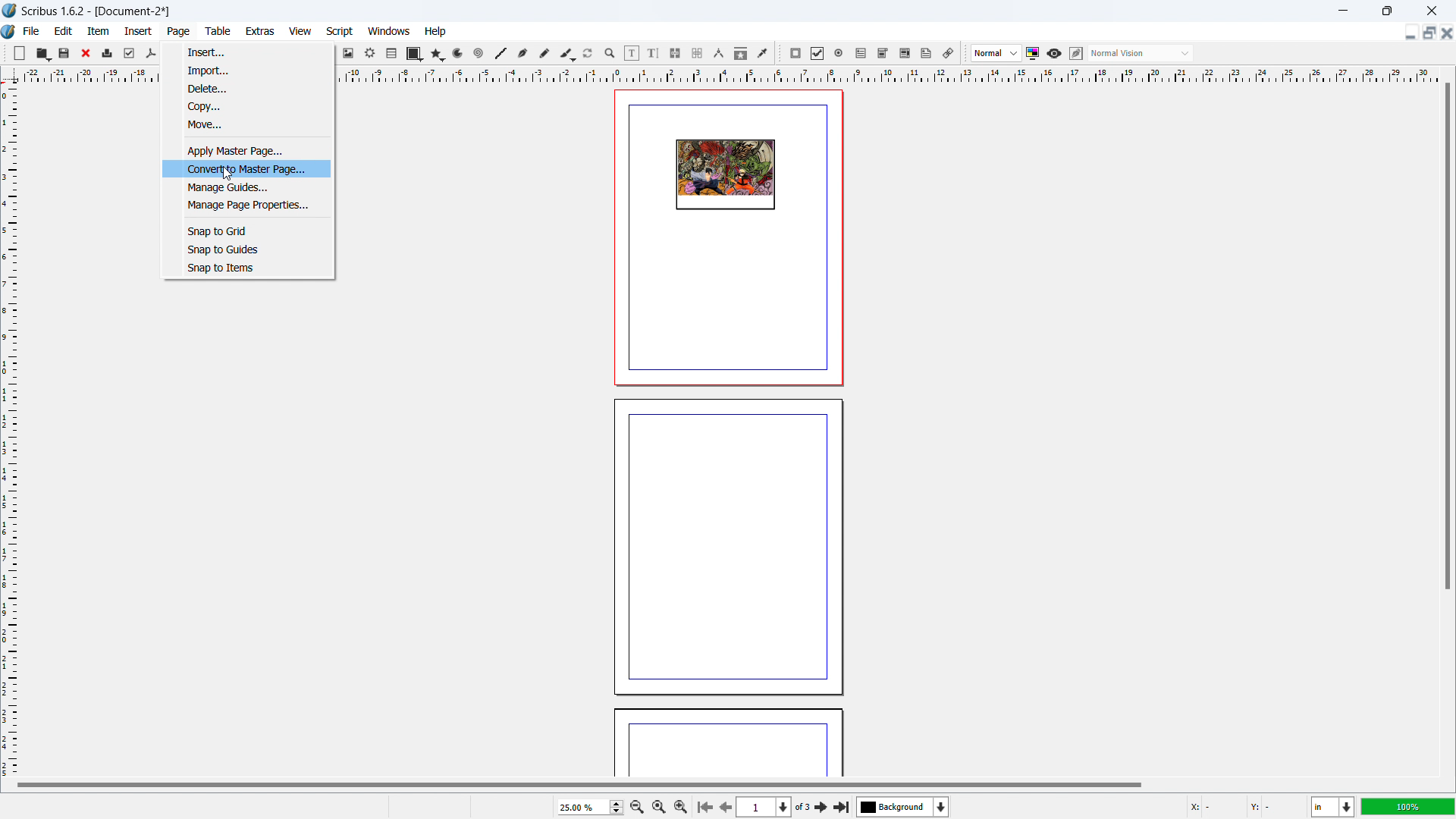 This screenshot has height=819, width=1456. Describe the element at coordinates (479, 54) in the screenshot. I see `spirals` at that location.